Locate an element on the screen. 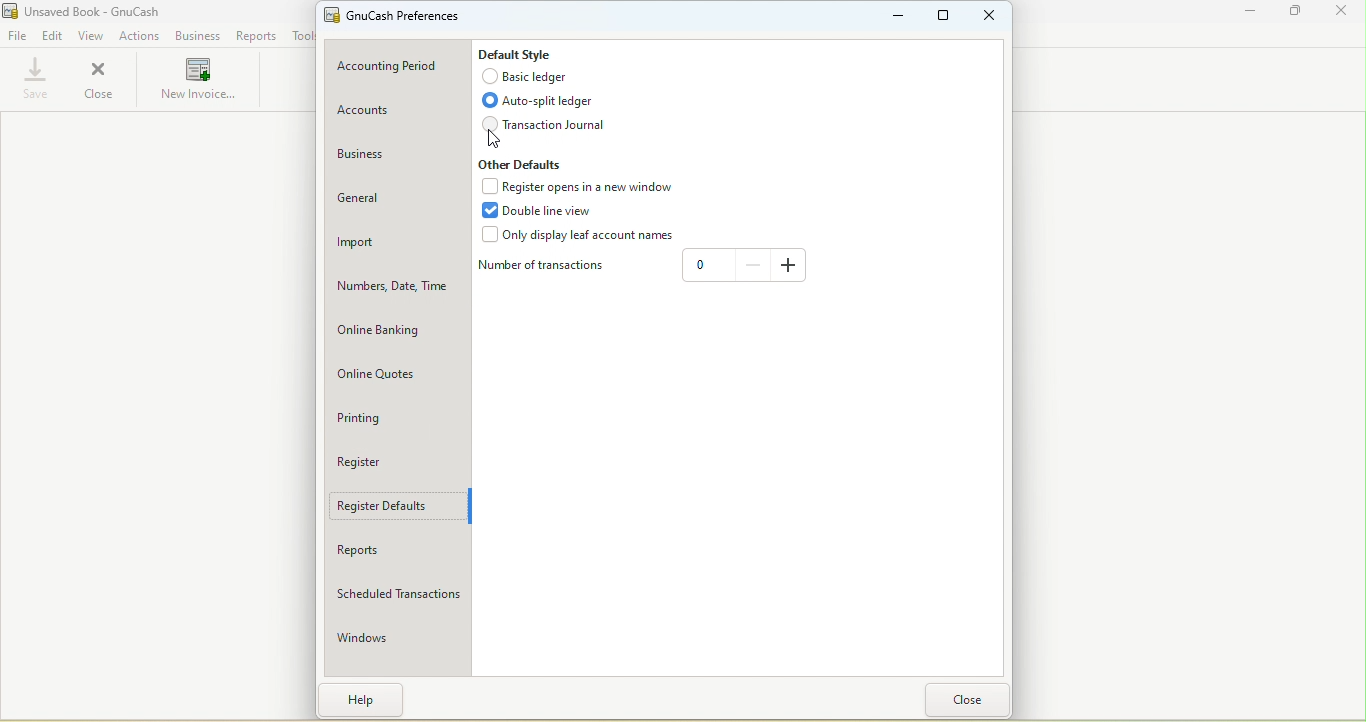 The image size is (1366, 722). Online banking is located at coordinates (400, 334).